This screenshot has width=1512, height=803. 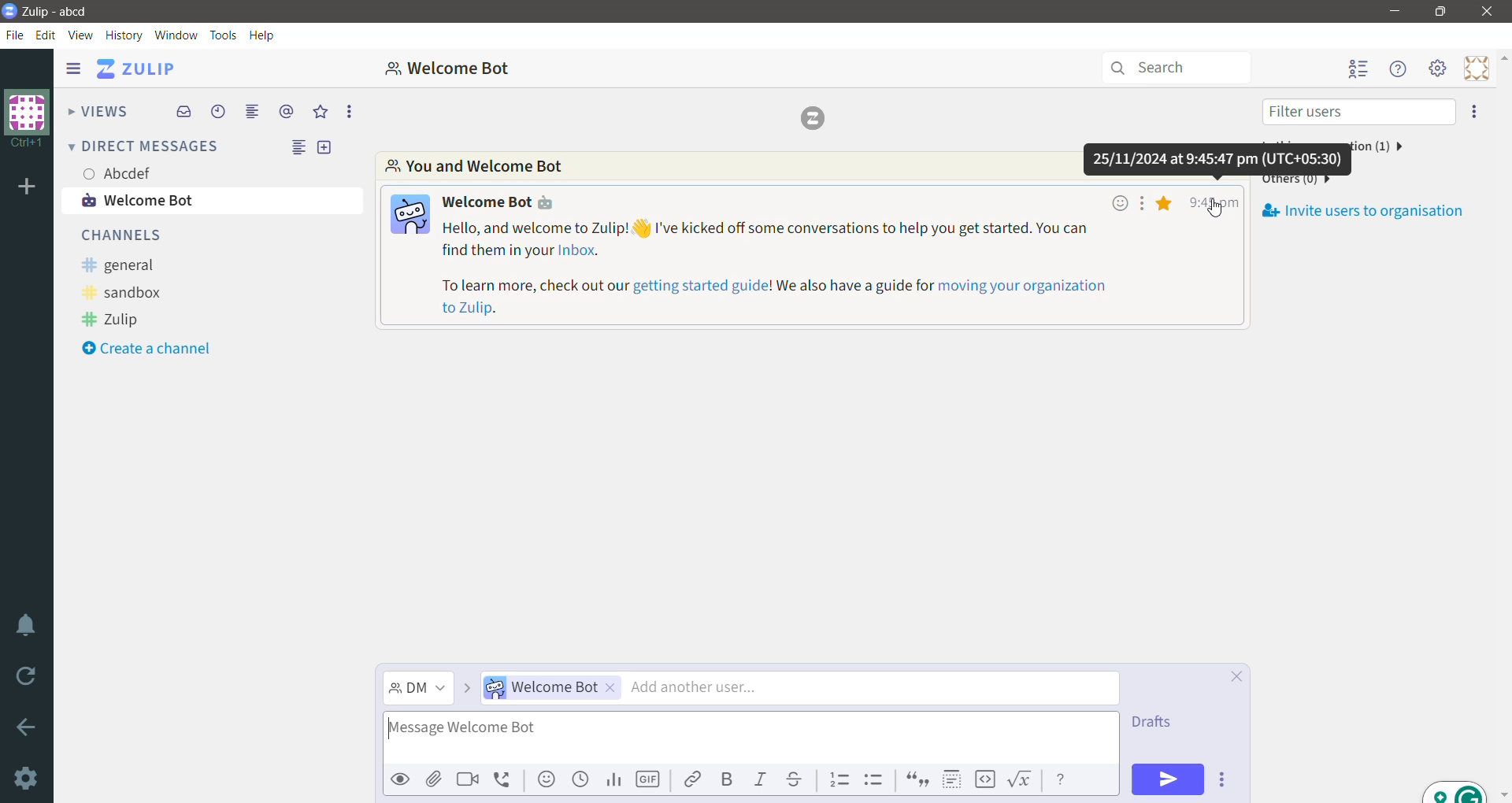 I want to click on More options, so click(x=348, y=111).